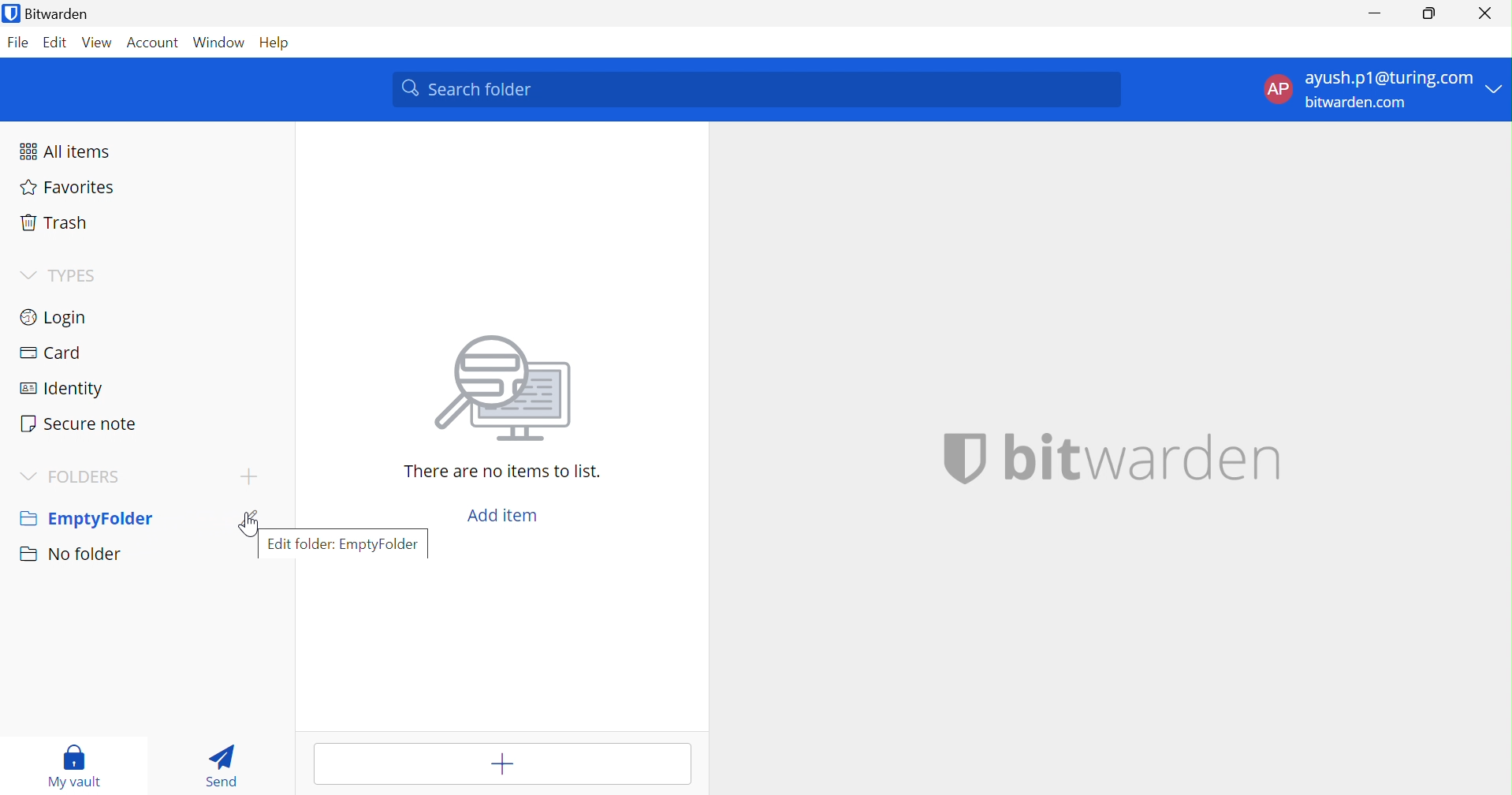 The height and width of the screenshot is (795, 1512). Describe the element at coordinates (63, 392) in the screenshot. I see `Identity` at that location.